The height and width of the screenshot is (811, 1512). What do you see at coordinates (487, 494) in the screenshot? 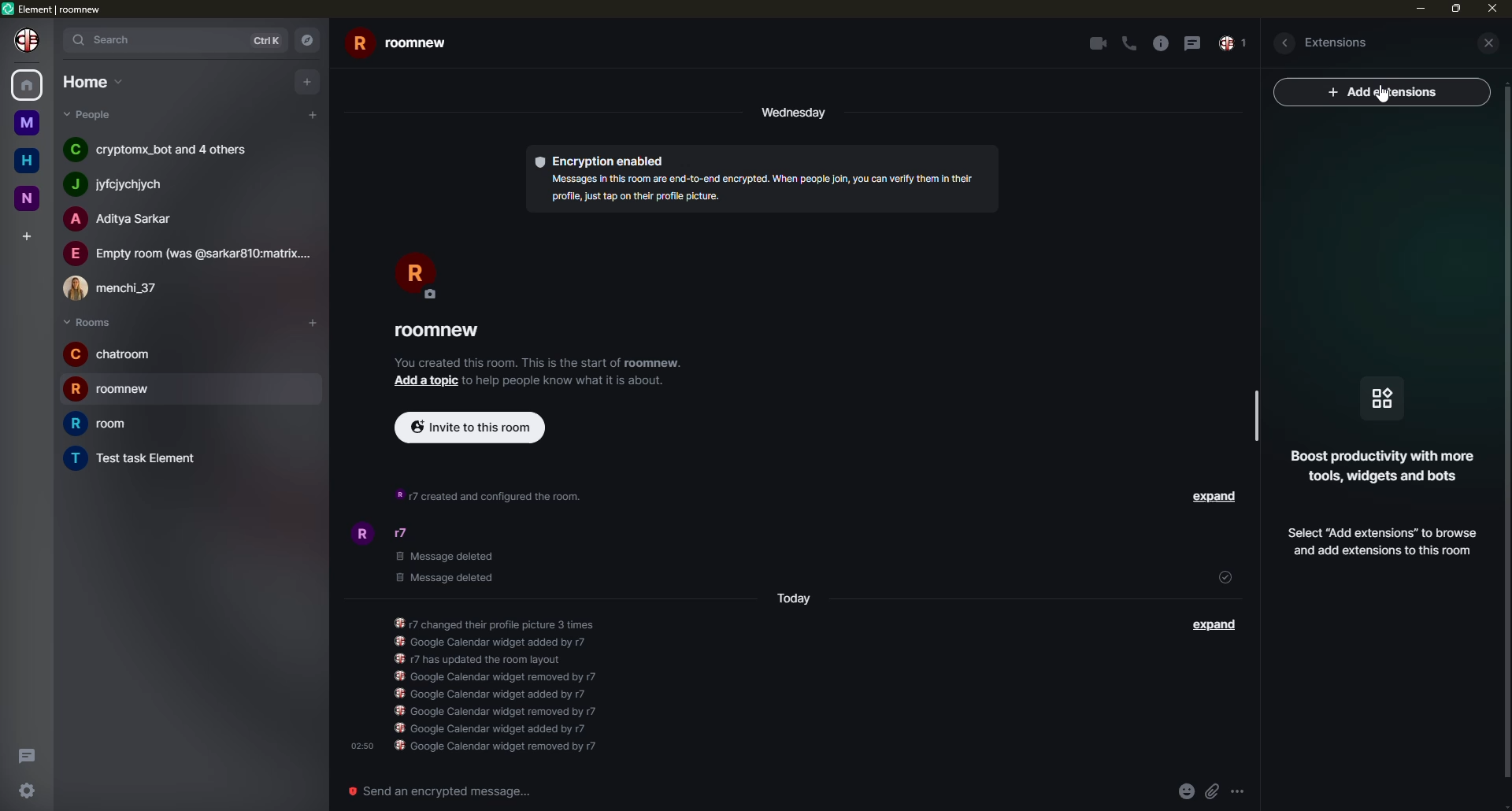
I see `info` at bounding box center [487, 494].